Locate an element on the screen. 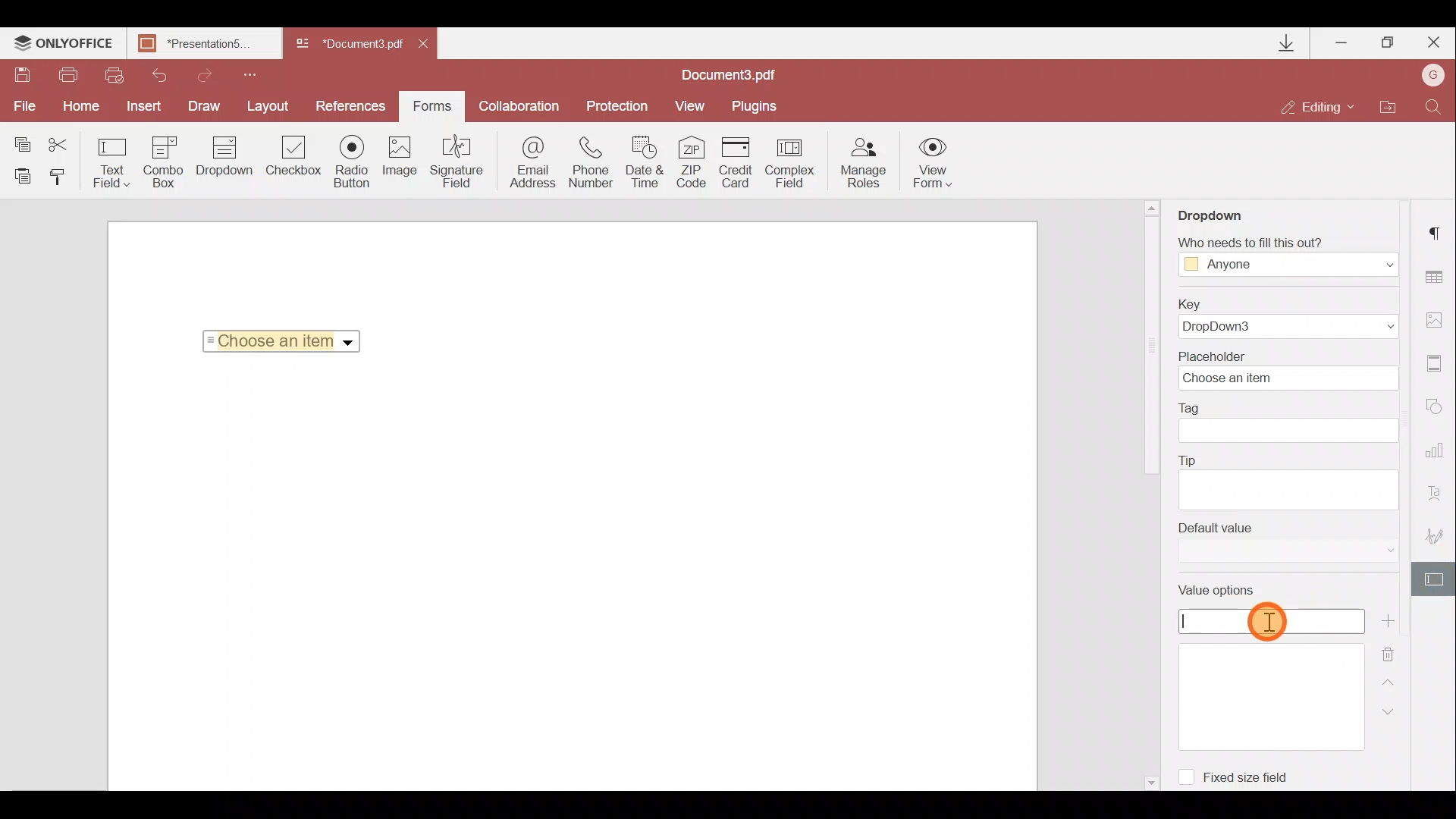  Manage roles is located at coordinates (864, 163).